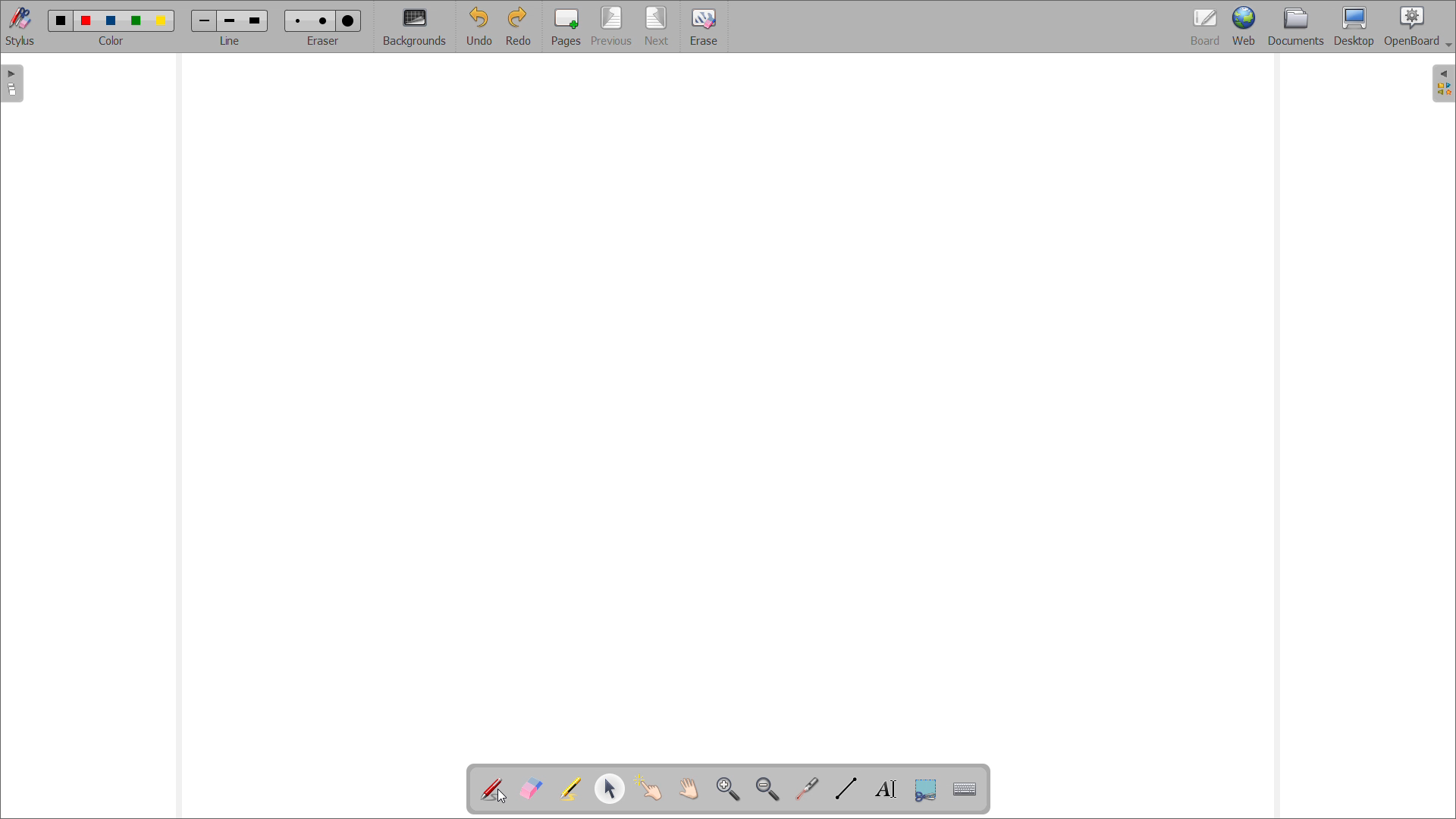  What do you see at coordinates (206, 22) in the screenshot?
I see `line width size` at bounding box center [206, 22].